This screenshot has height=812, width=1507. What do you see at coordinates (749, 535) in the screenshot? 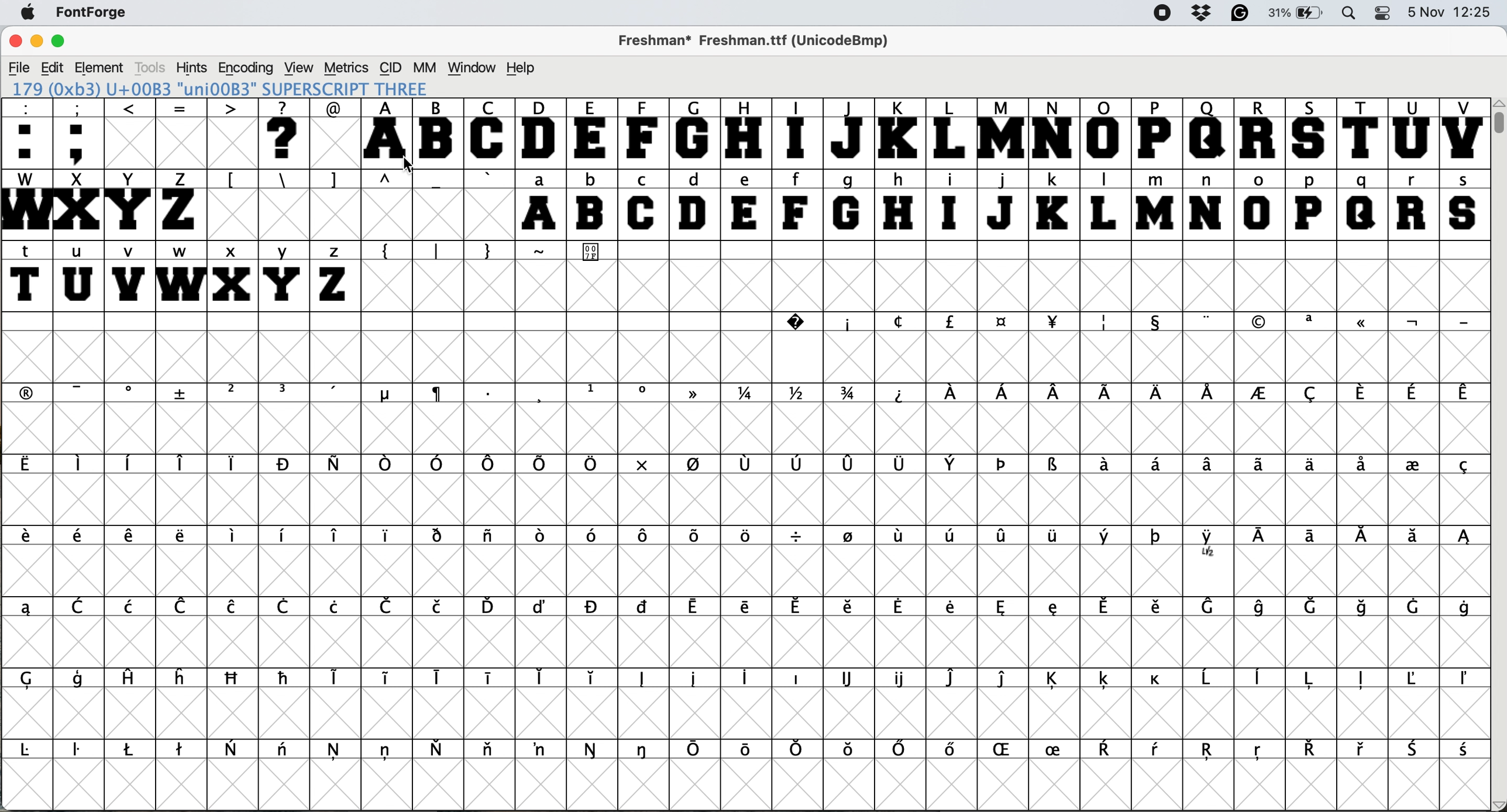
I see `symbol` at bounding box center [749, 535].